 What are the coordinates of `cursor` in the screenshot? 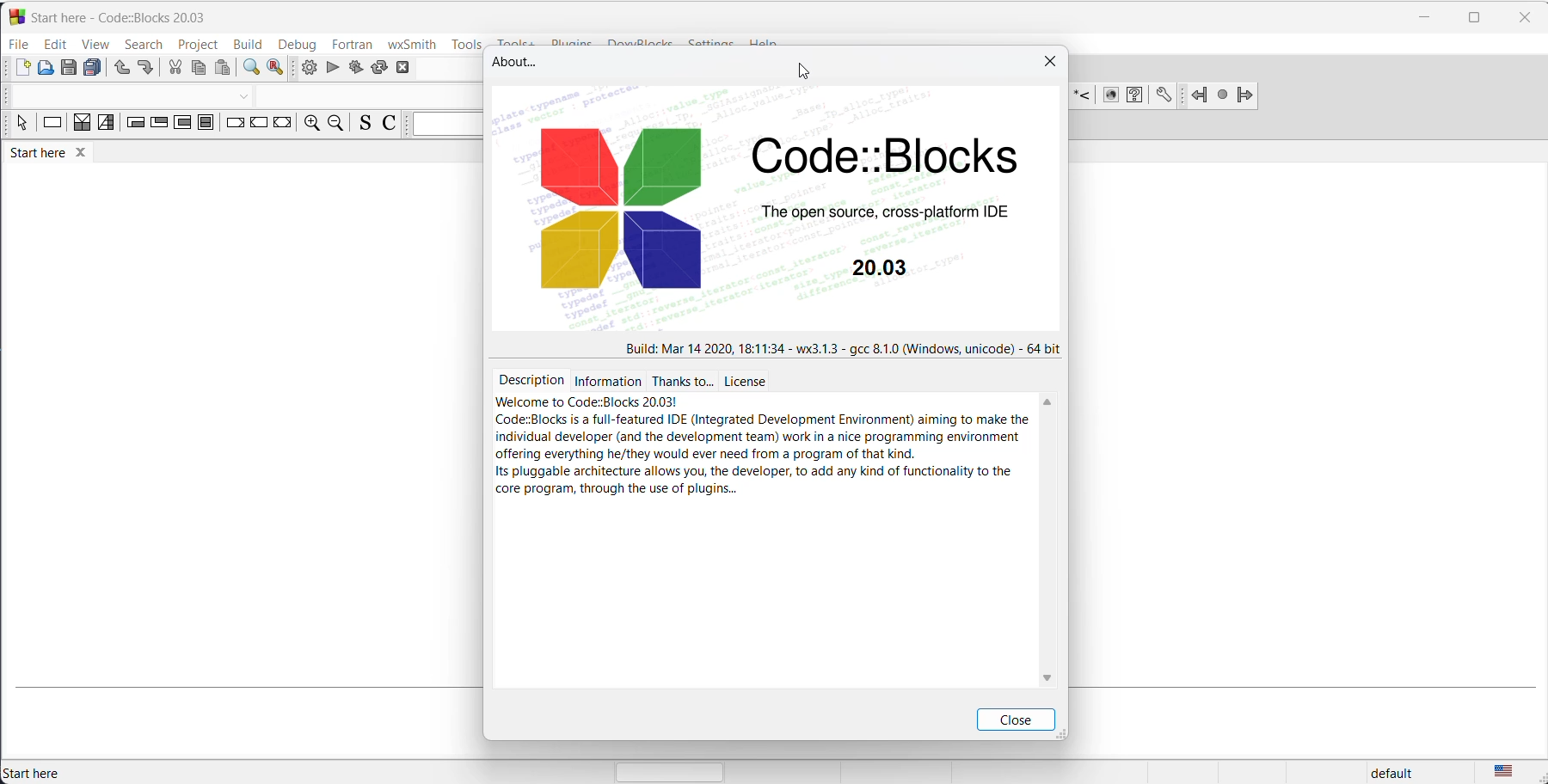 It's located at (803, 72).